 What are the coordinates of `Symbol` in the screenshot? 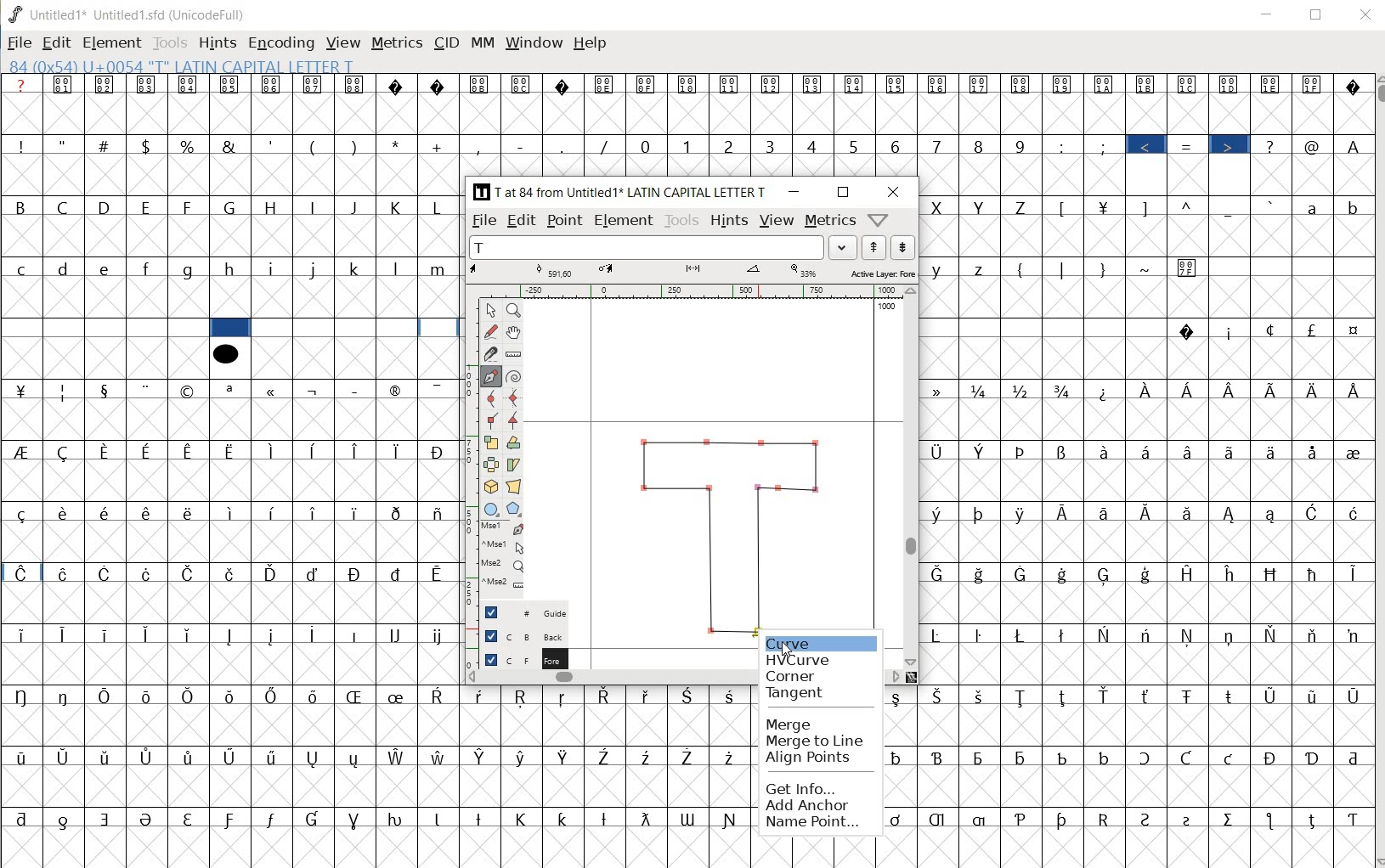 It's located at (982, 757).